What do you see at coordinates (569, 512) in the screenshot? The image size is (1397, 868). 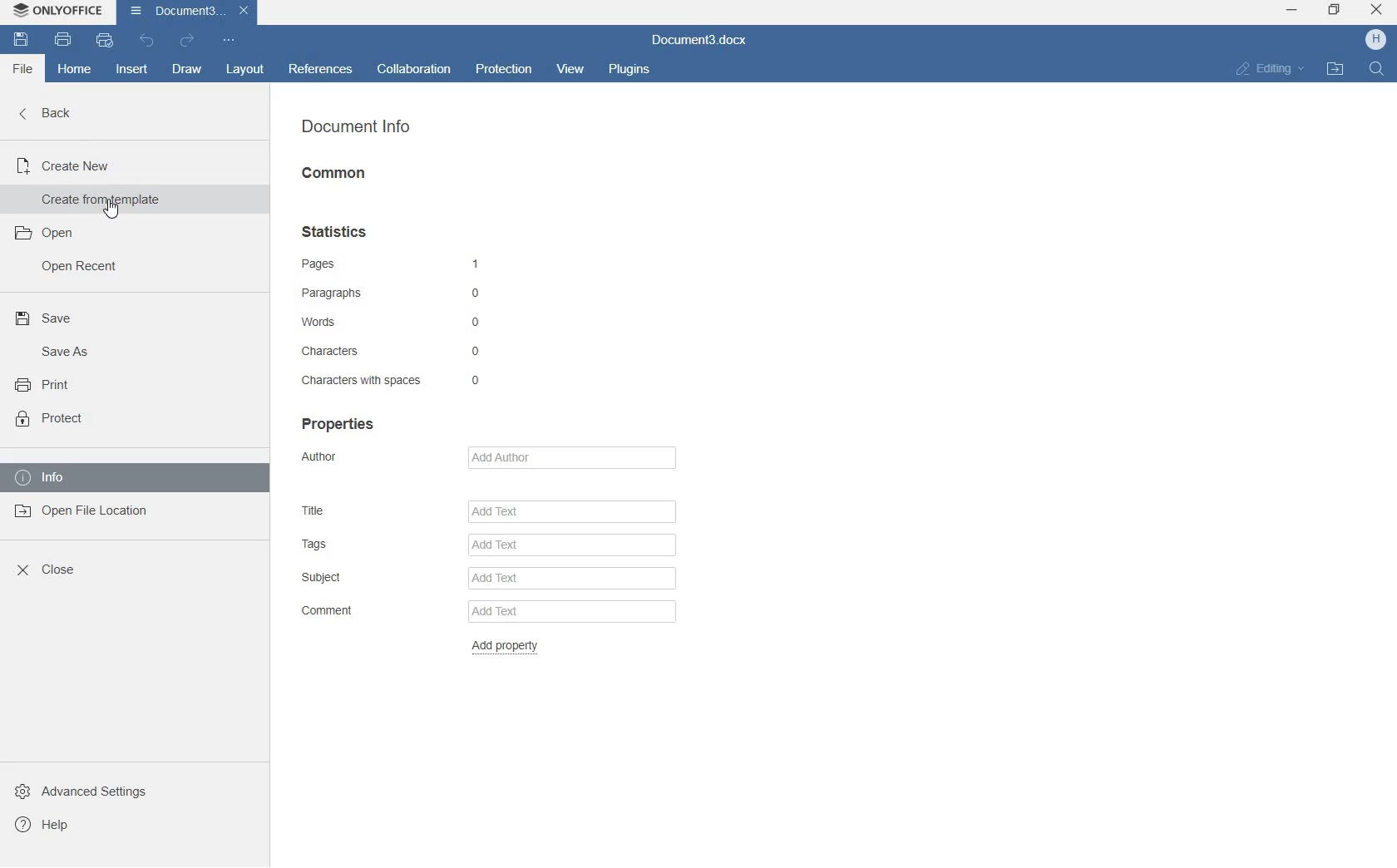 I see `add text` at bounding box center [569, 512].